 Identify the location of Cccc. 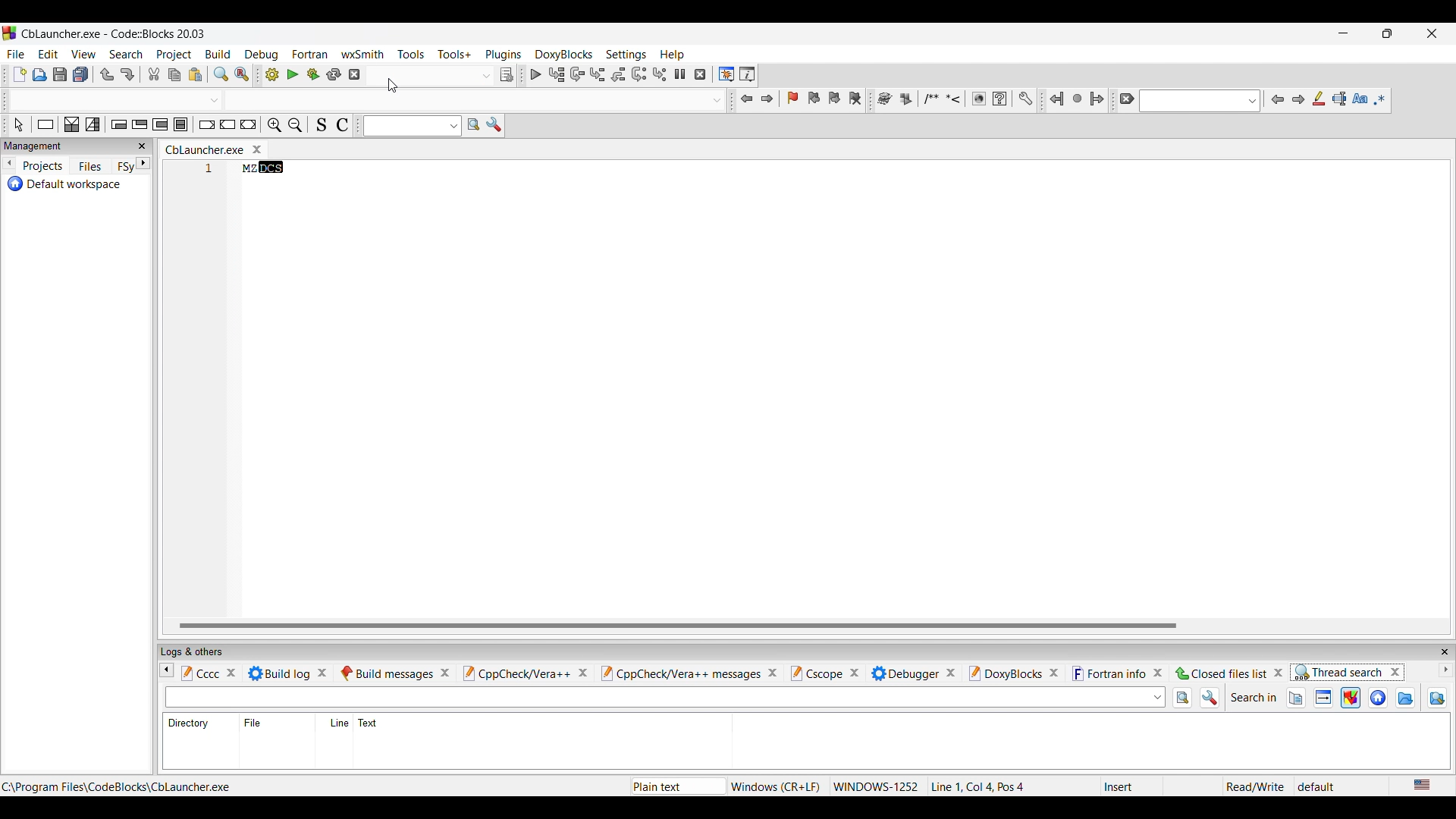
(201, 673).